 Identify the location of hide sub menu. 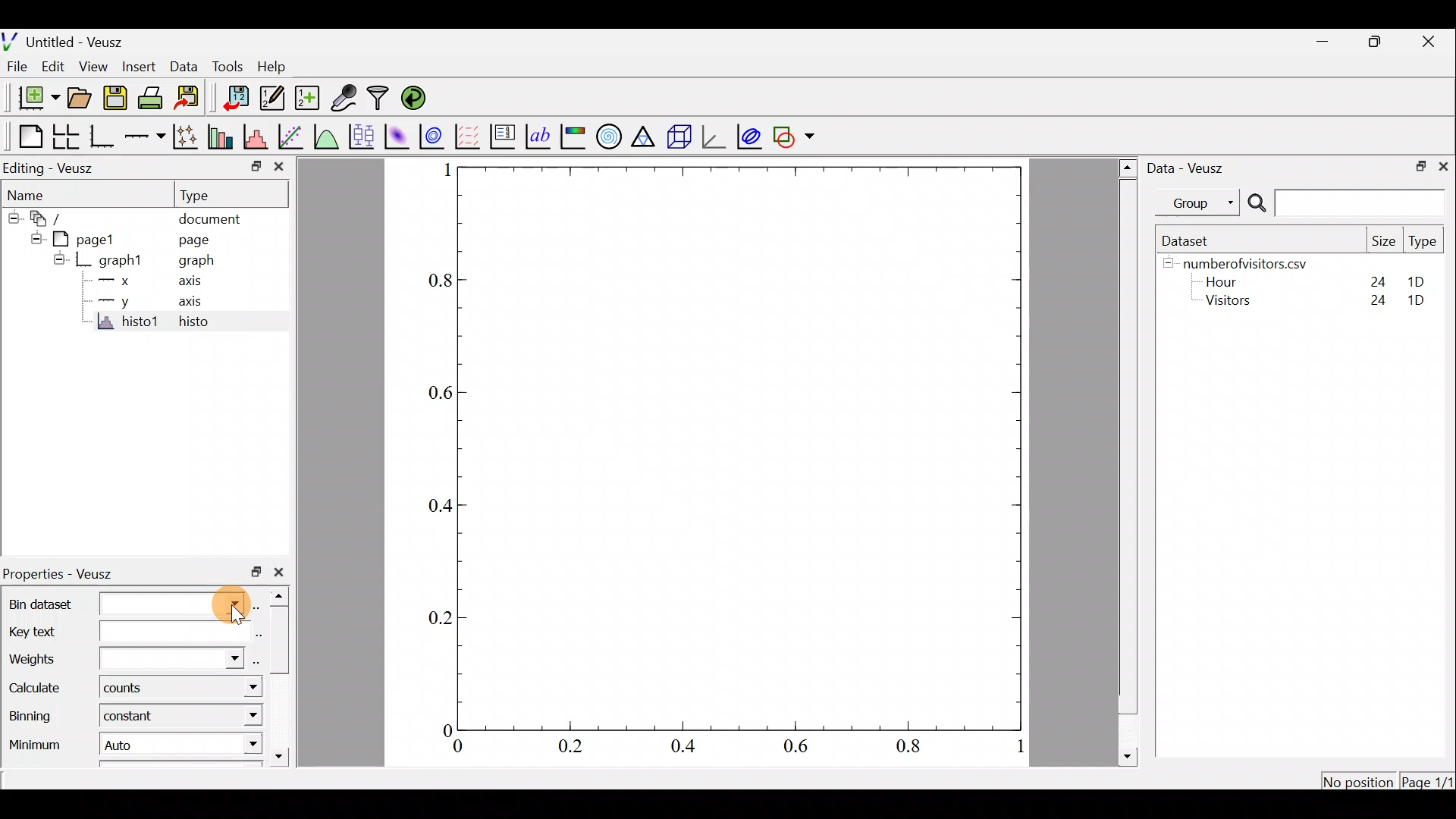
(33, 239).